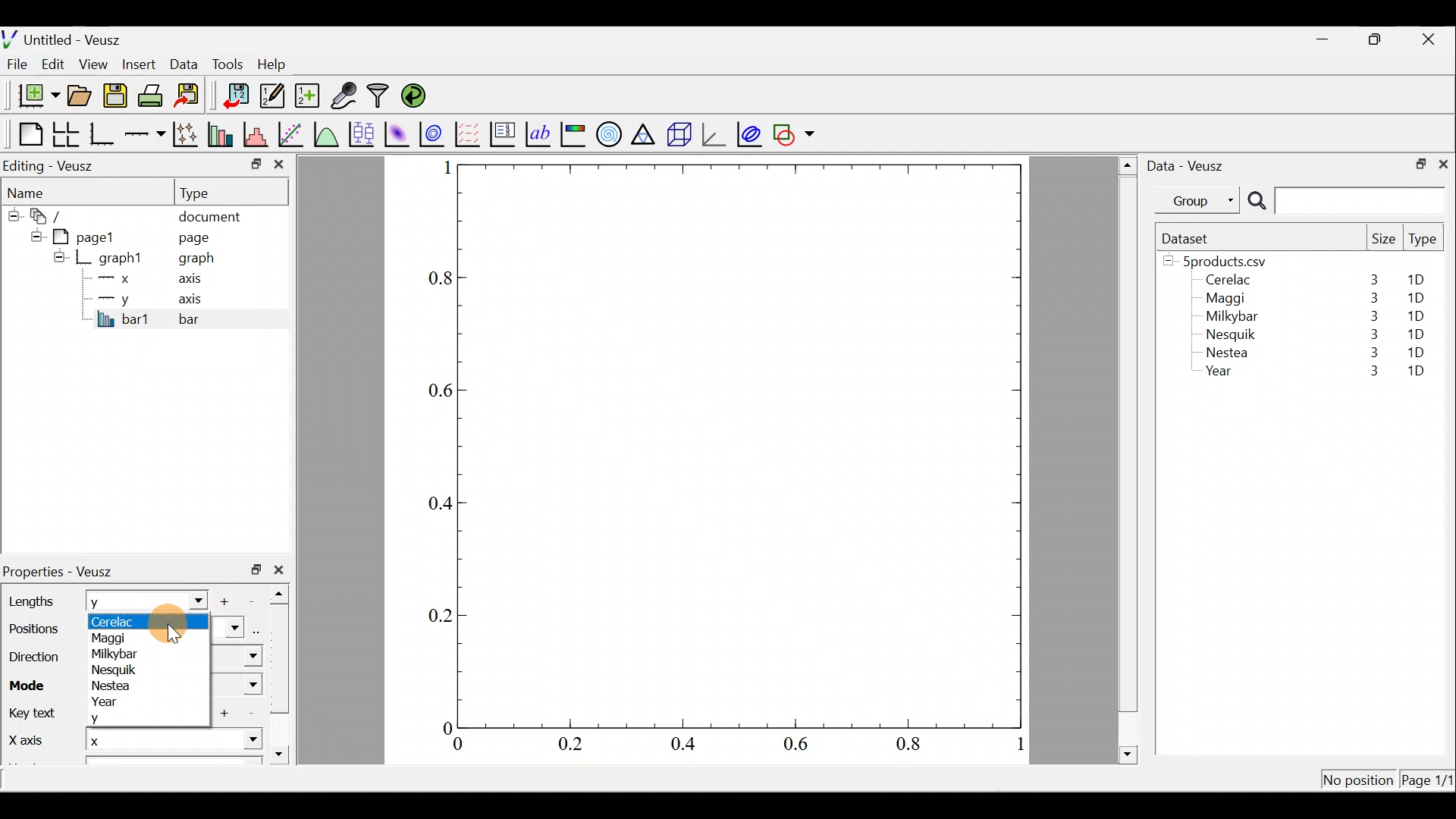 The height and width of the screenshot is (819, 1456). I want to click on 0.6, so click(437, 391).